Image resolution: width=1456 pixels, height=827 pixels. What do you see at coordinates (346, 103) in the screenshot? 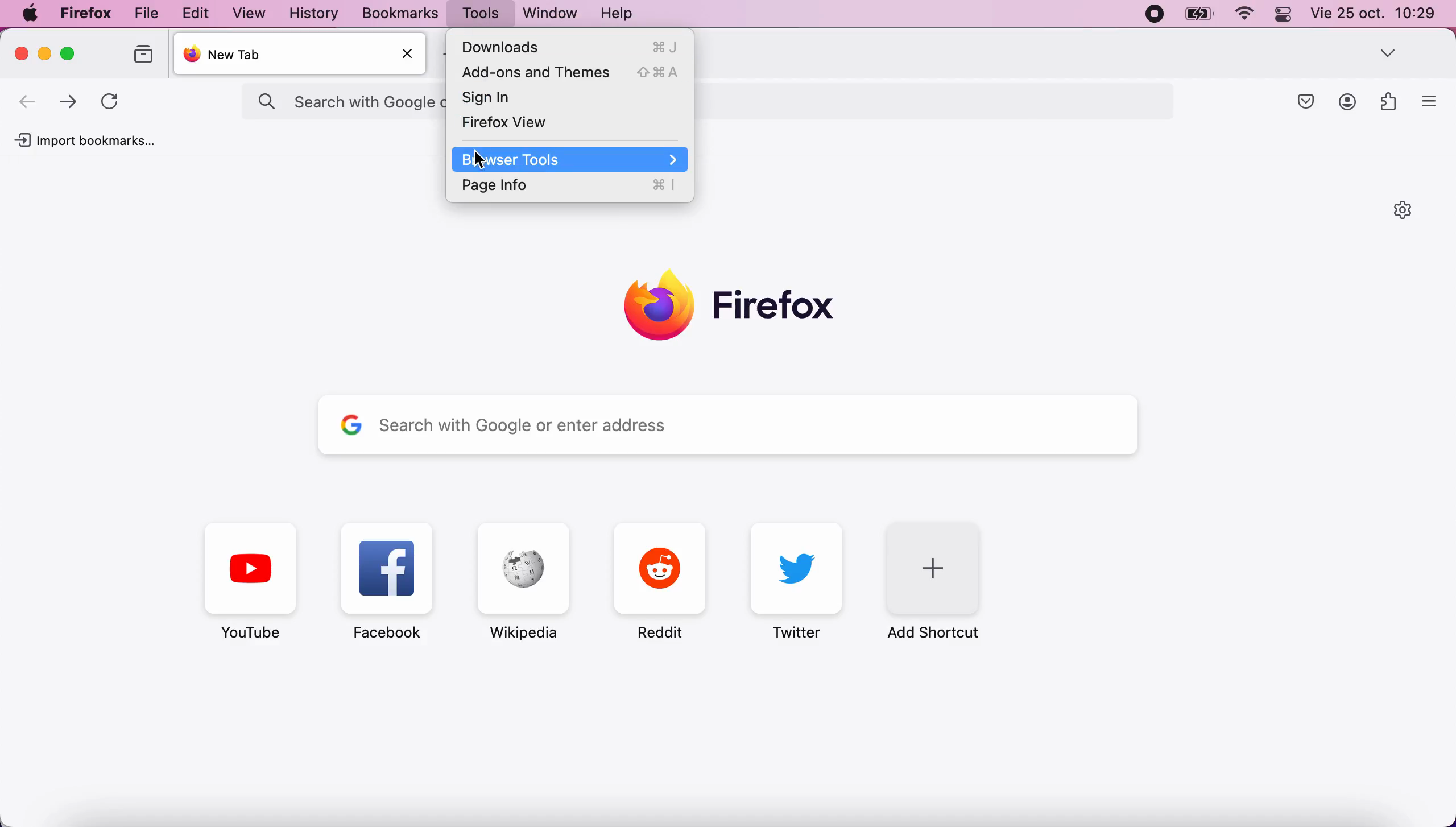
I see `search with Google` at bounding box center [346, 103].